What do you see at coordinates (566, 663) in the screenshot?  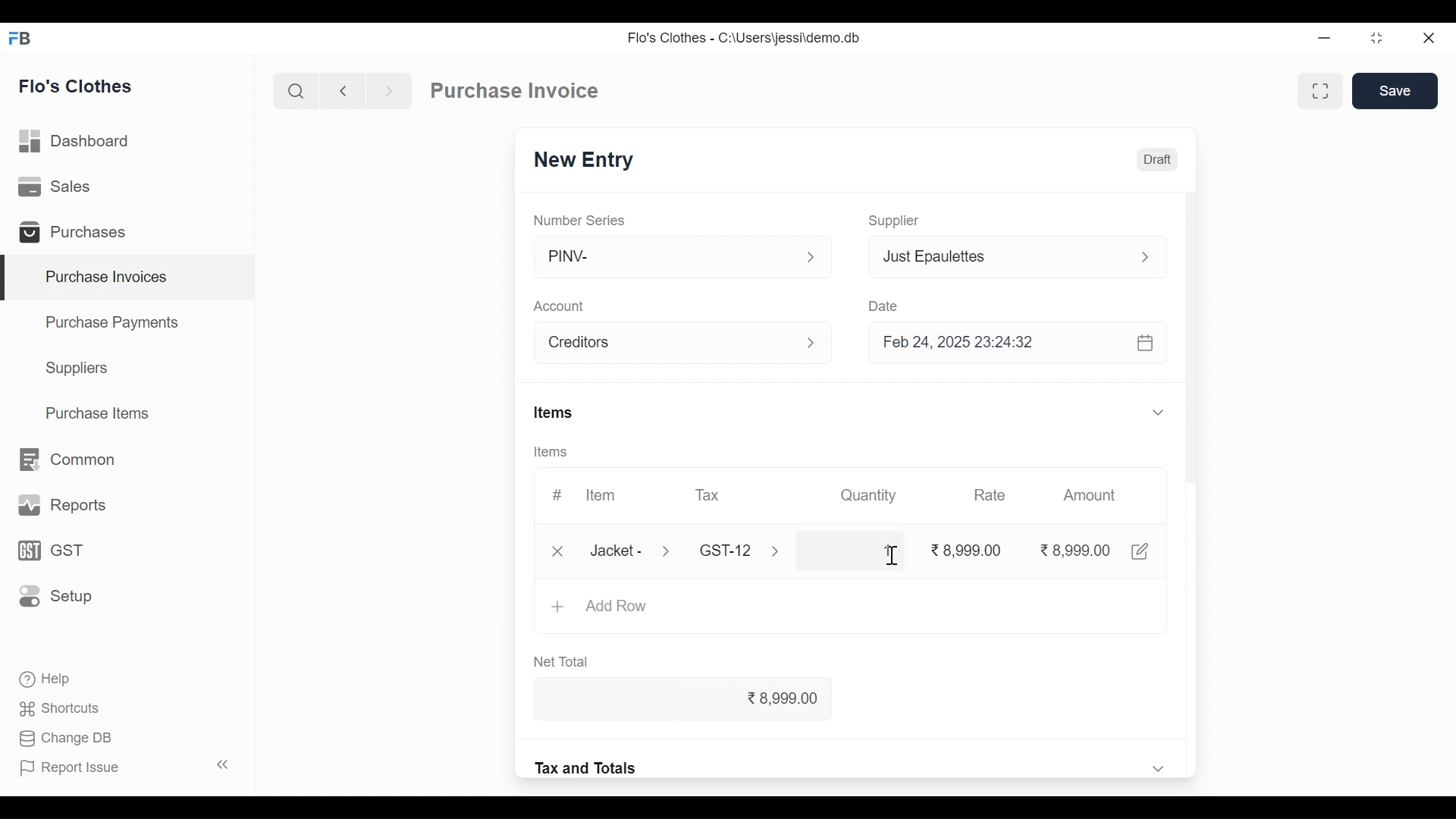 I see `Net Total` at bounding box center [566, 663].